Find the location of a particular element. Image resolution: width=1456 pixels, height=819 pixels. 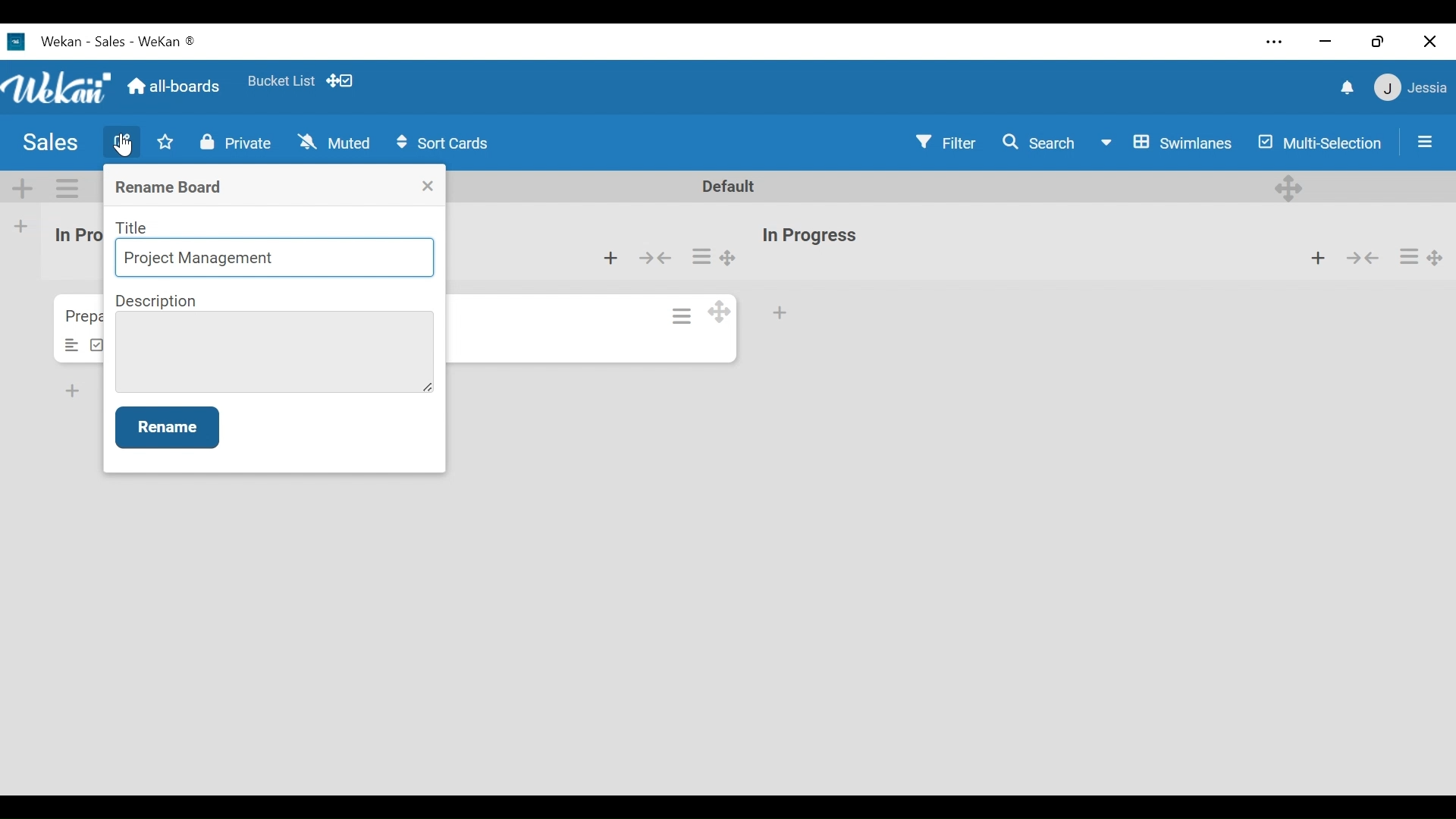

Wekan logo is located at coordinates (56, 88).